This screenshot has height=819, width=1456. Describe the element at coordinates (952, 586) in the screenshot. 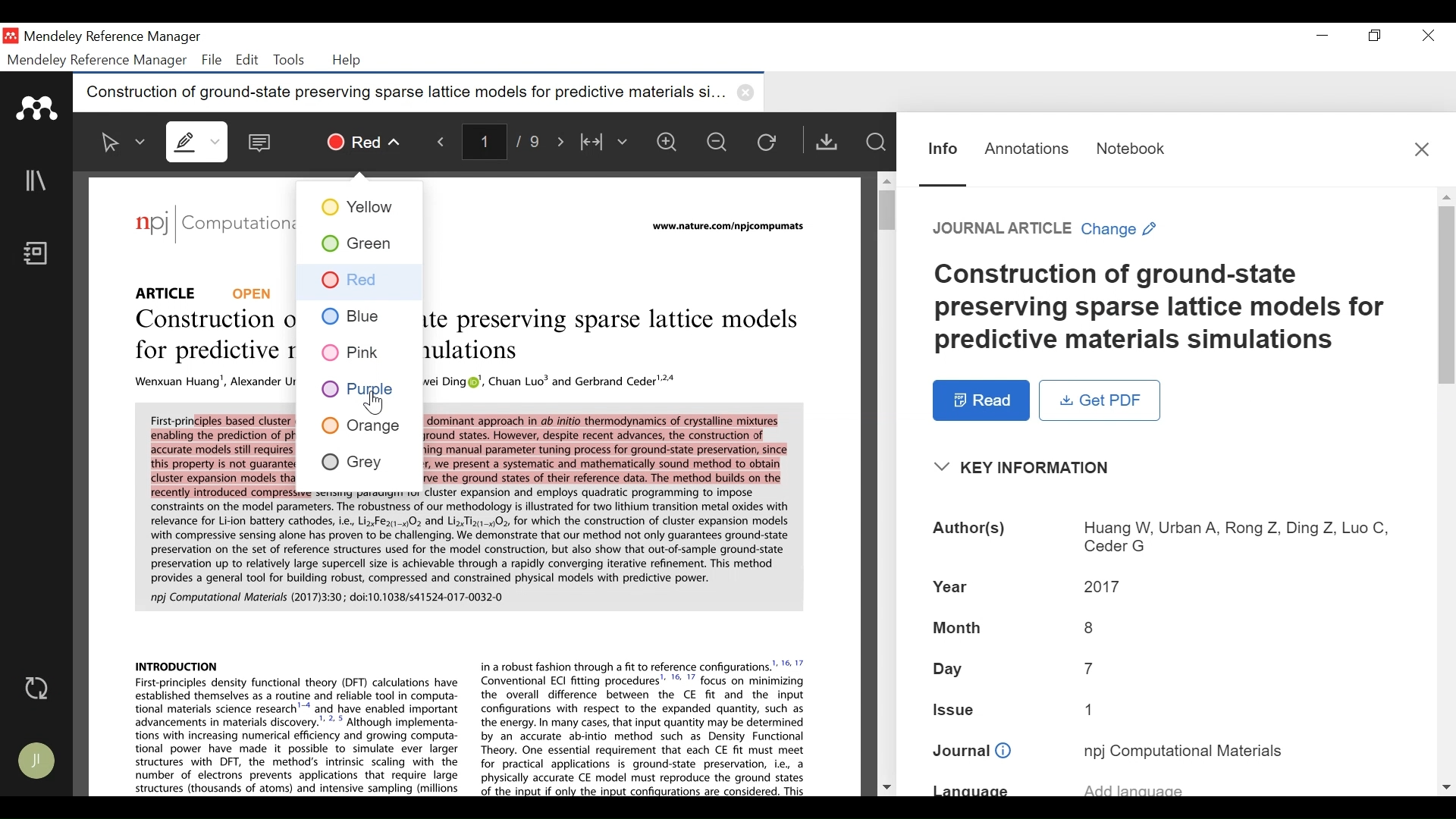

I see `Year` at that location.